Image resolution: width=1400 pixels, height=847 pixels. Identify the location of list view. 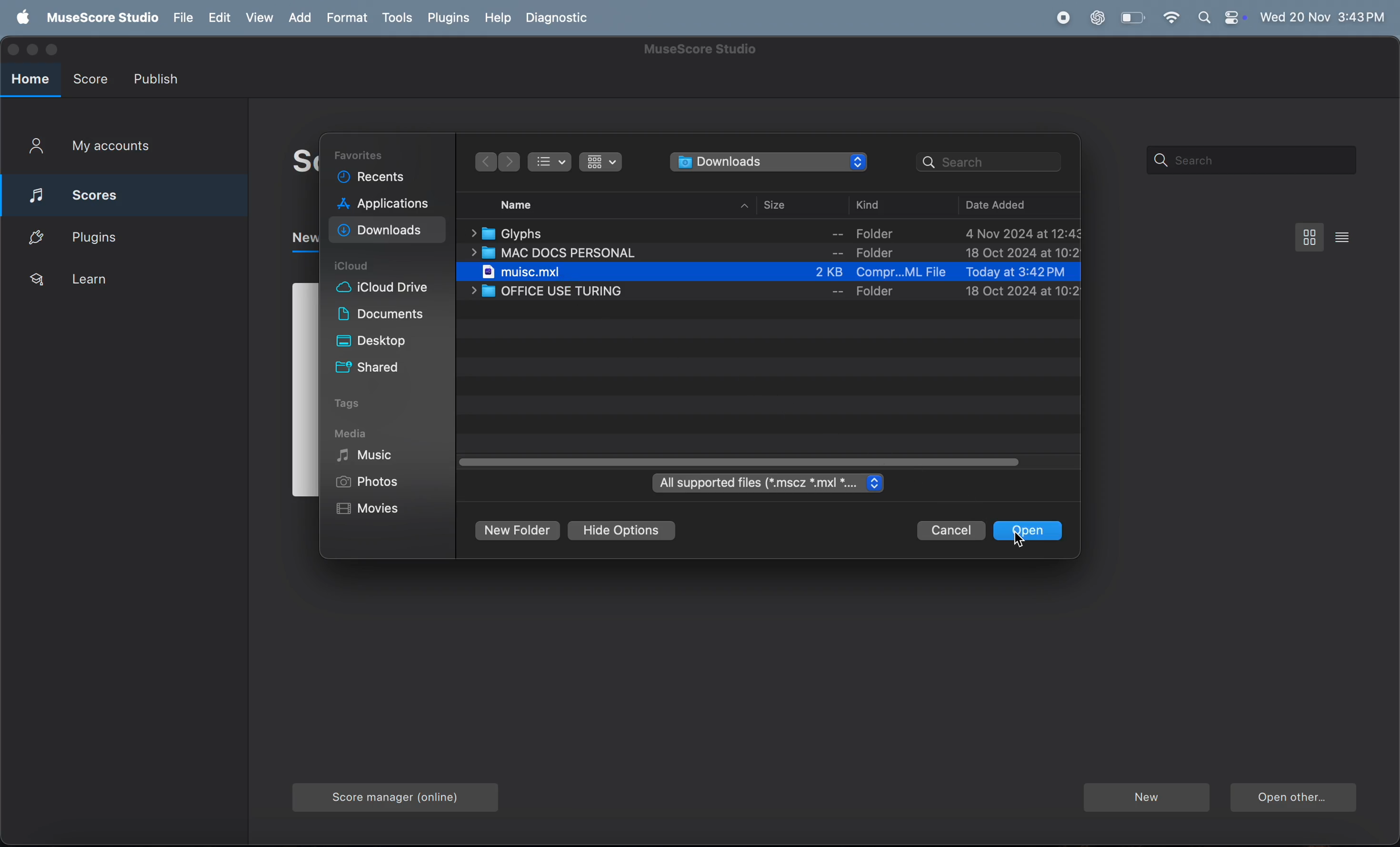
(1343, 236).